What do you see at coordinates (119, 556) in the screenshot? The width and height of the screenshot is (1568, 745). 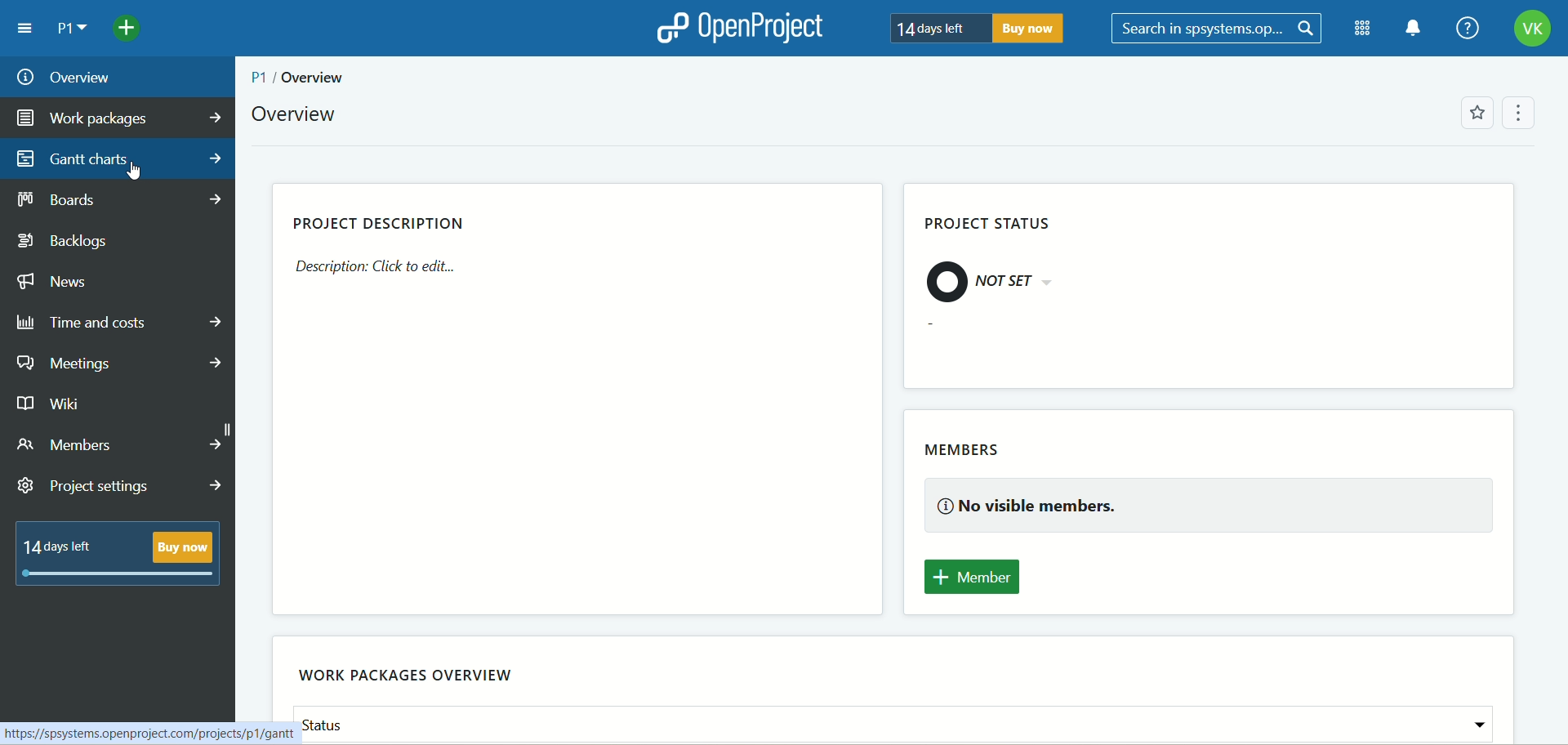 I see `14 days left buy now` at bounding box center [119, 556].